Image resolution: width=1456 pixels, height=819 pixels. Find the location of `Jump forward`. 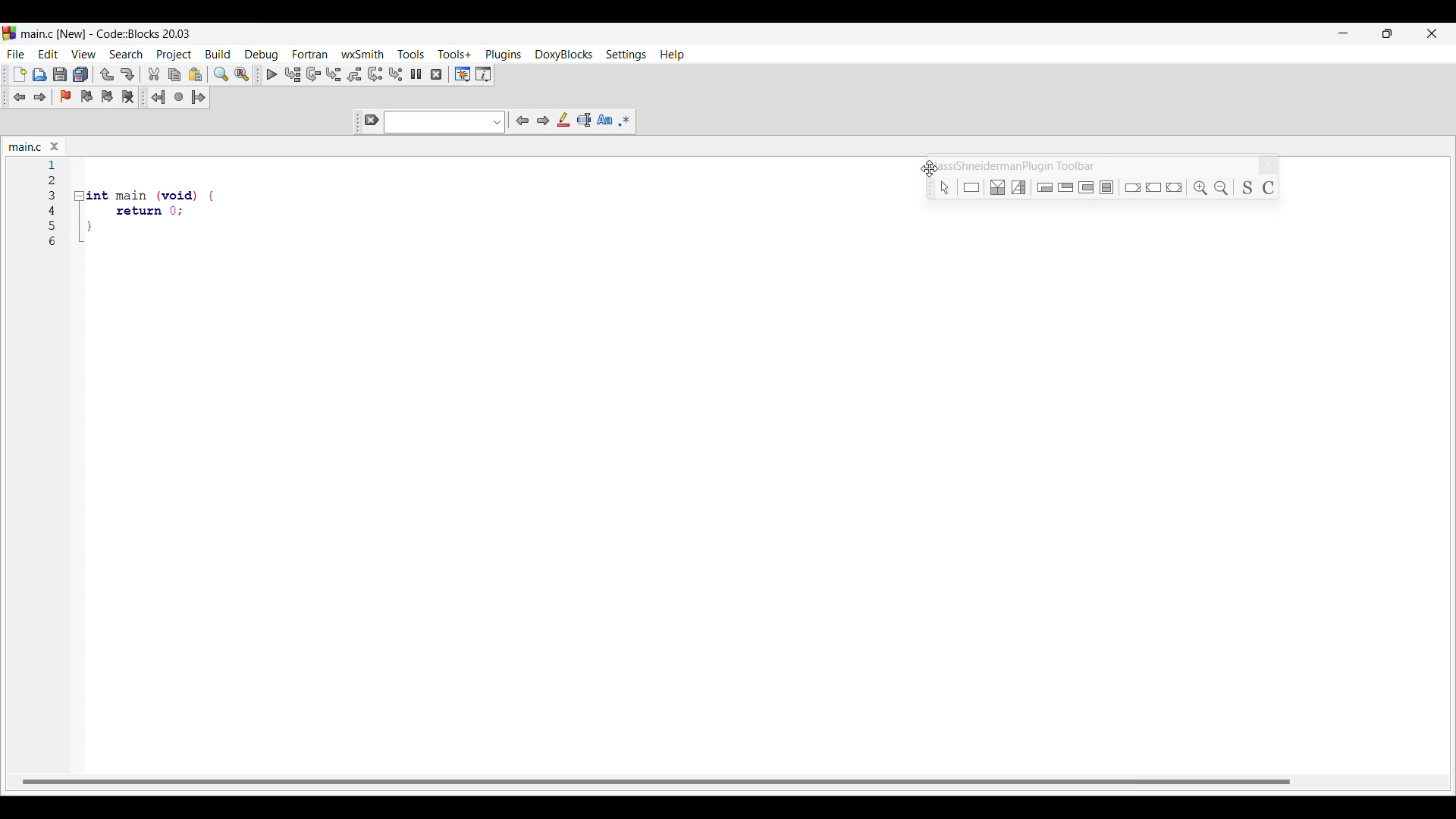

Jump forward is located at coordinates (199, 97).